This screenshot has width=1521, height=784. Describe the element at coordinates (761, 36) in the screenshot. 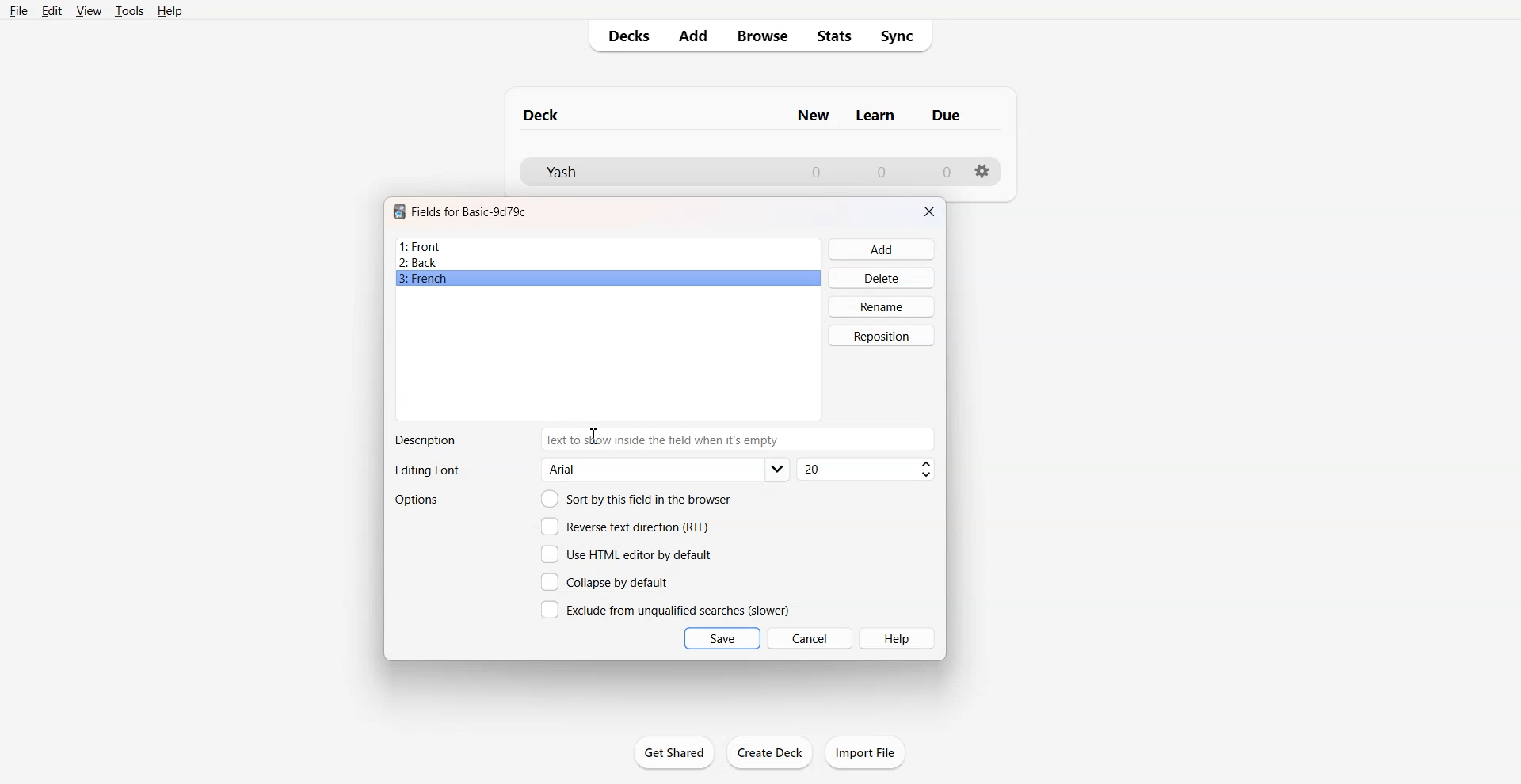

I see `Browse` at that location.